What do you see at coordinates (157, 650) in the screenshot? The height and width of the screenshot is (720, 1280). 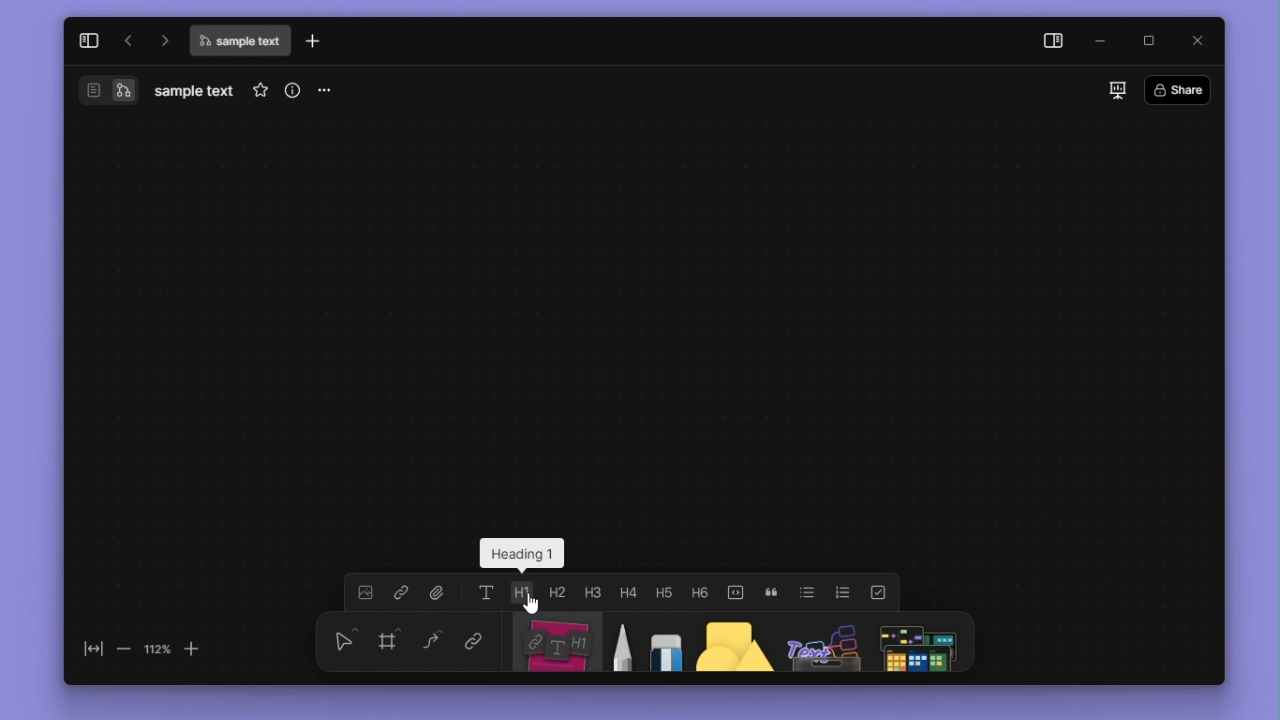 I see `112%` at bounding box center [157, 650].